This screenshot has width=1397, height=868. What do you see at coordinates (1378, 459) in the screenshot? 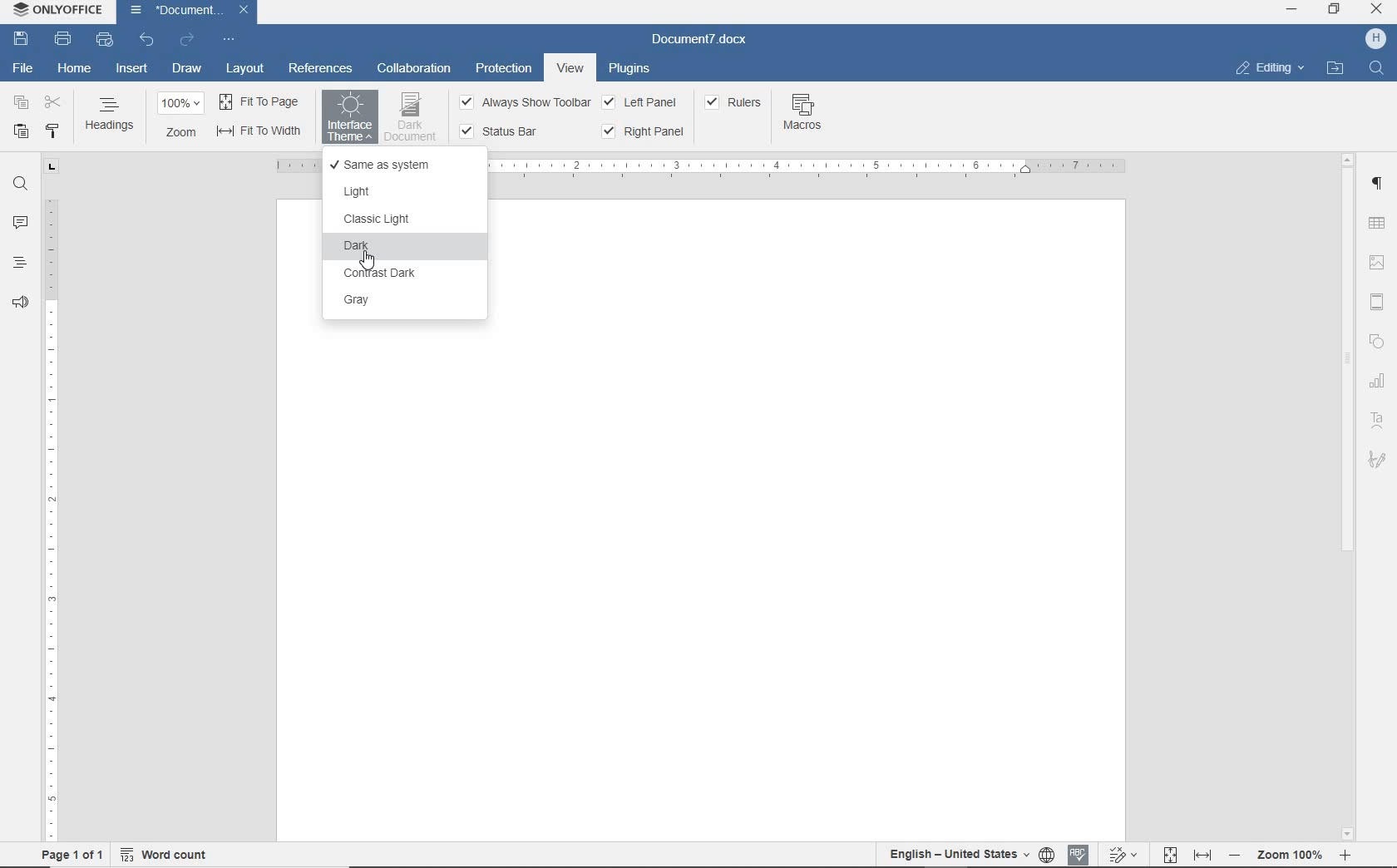
I see `SIGNATURE` at bounding box center [1378, 459].